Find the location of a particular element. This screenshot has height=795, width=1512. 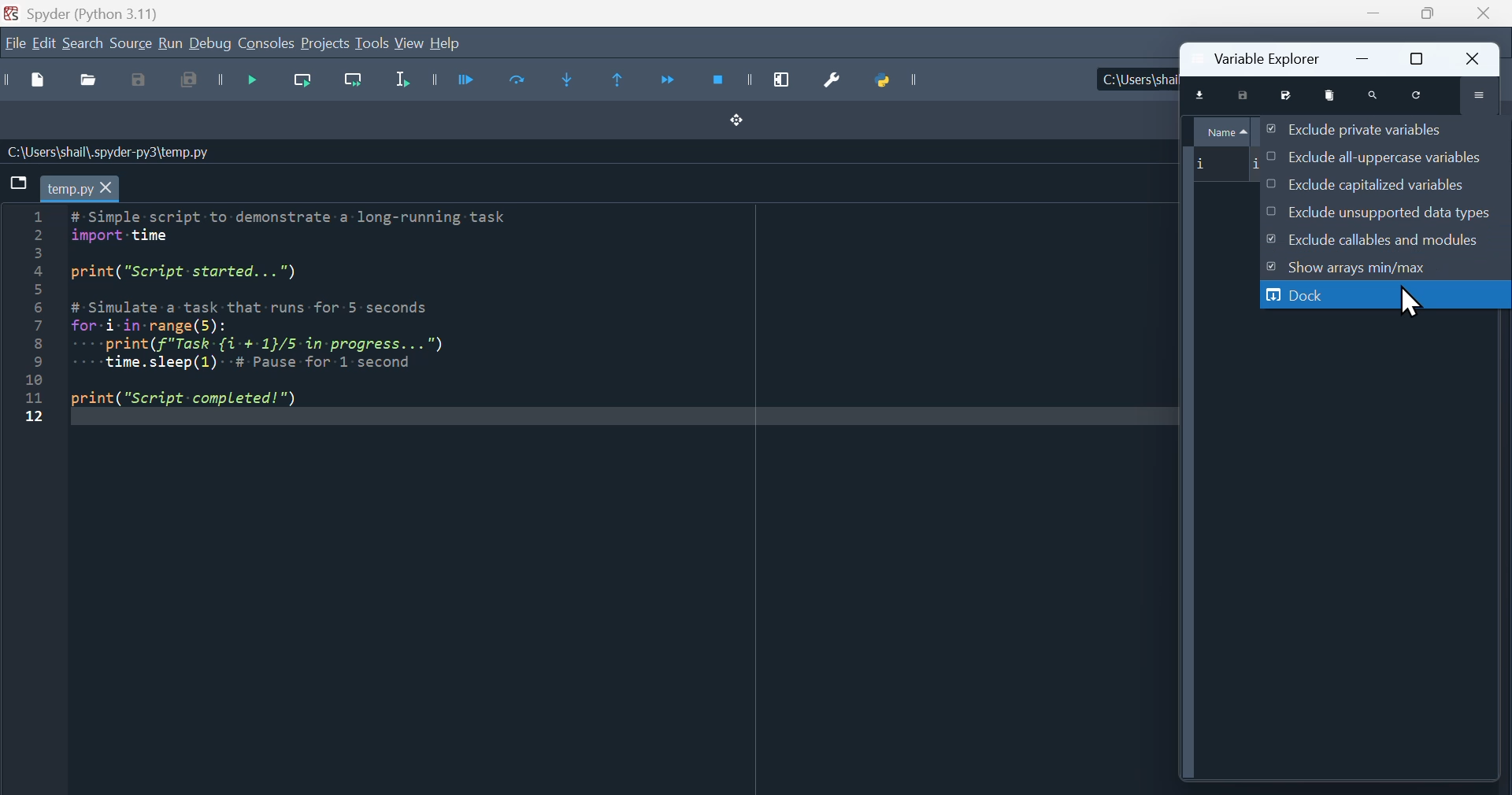

Stop debugging is located at coordinates (728, 80).